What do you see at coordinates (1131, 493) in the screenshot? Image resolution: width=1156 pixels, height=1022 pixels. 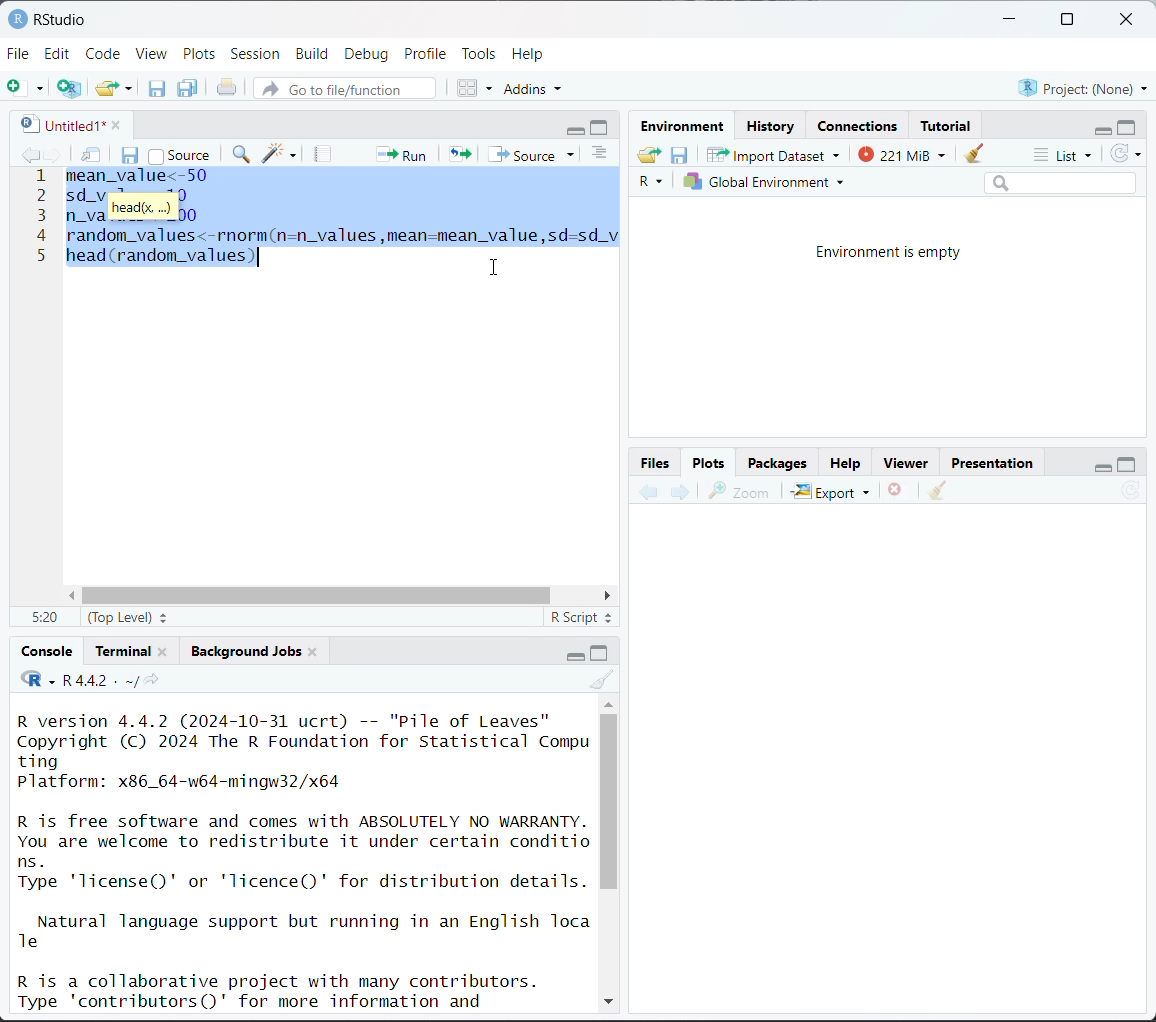 I see `refresh current plot` at bounding box center [1131, 493].